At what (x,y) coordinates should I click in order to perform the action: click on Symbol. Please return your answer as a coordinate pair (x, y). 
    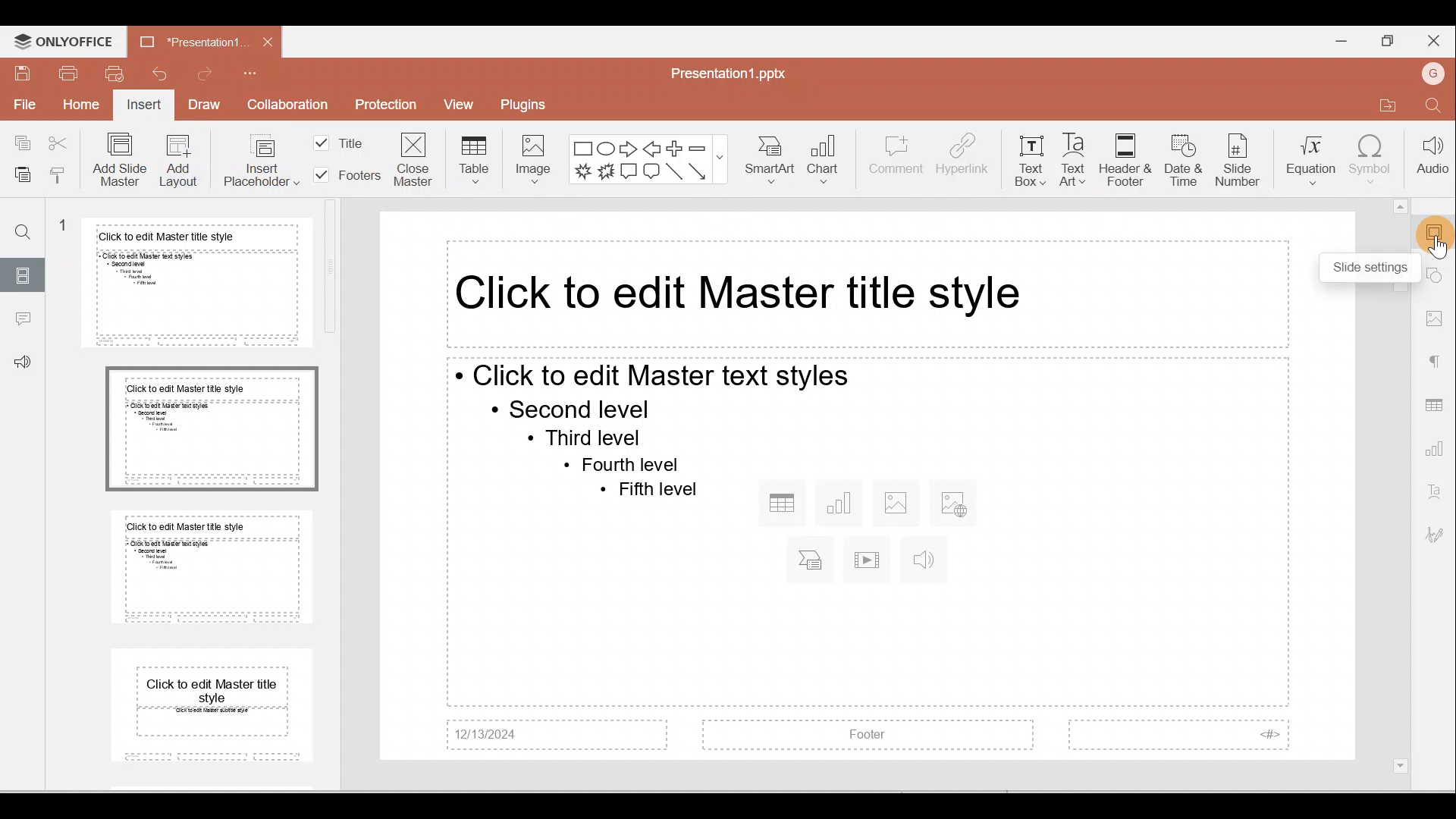
    Looking at the image, I should click on (1373, 162).